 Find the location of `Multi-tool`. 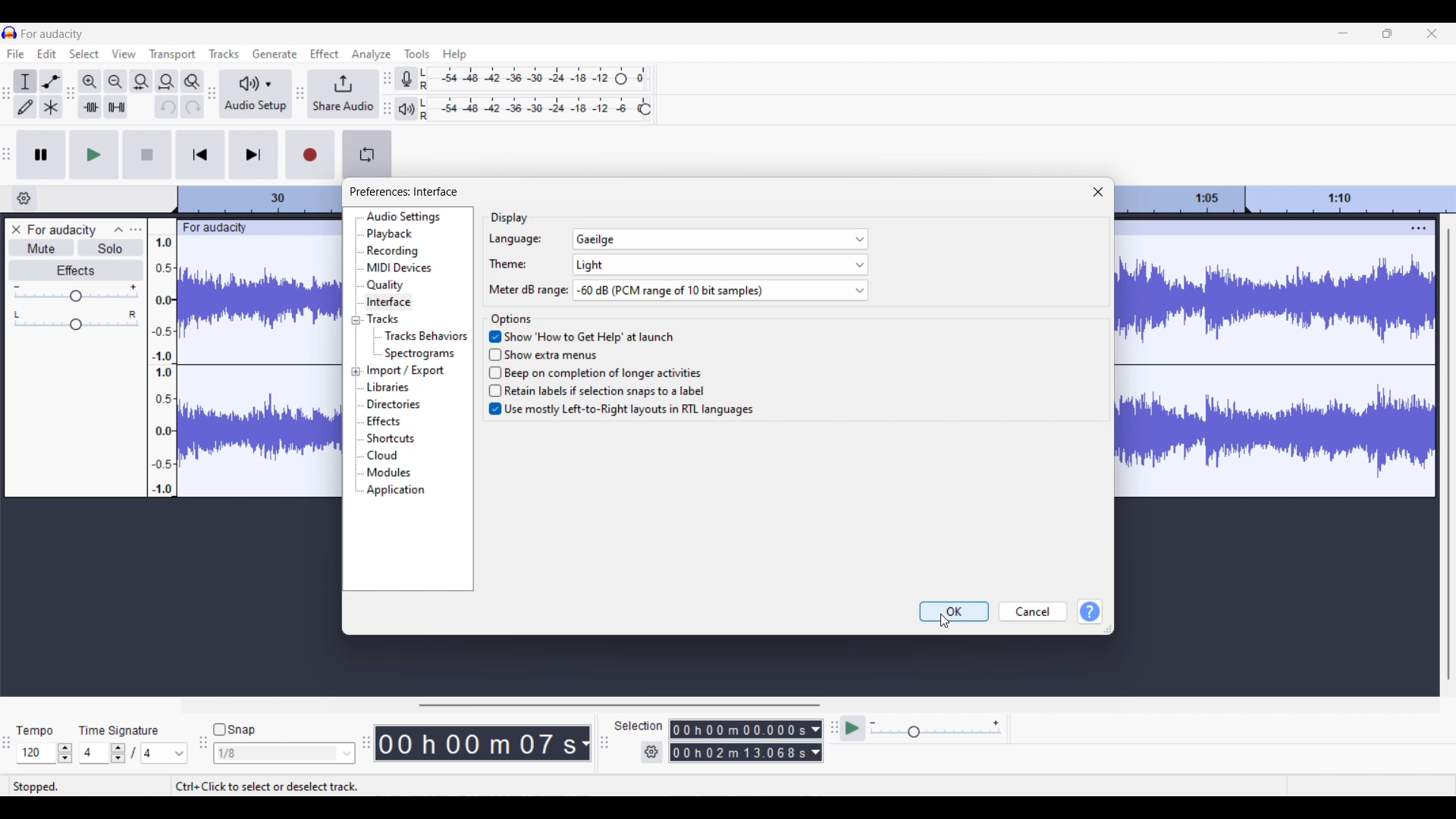

Multi-tool is located at coordinates (51, 106).